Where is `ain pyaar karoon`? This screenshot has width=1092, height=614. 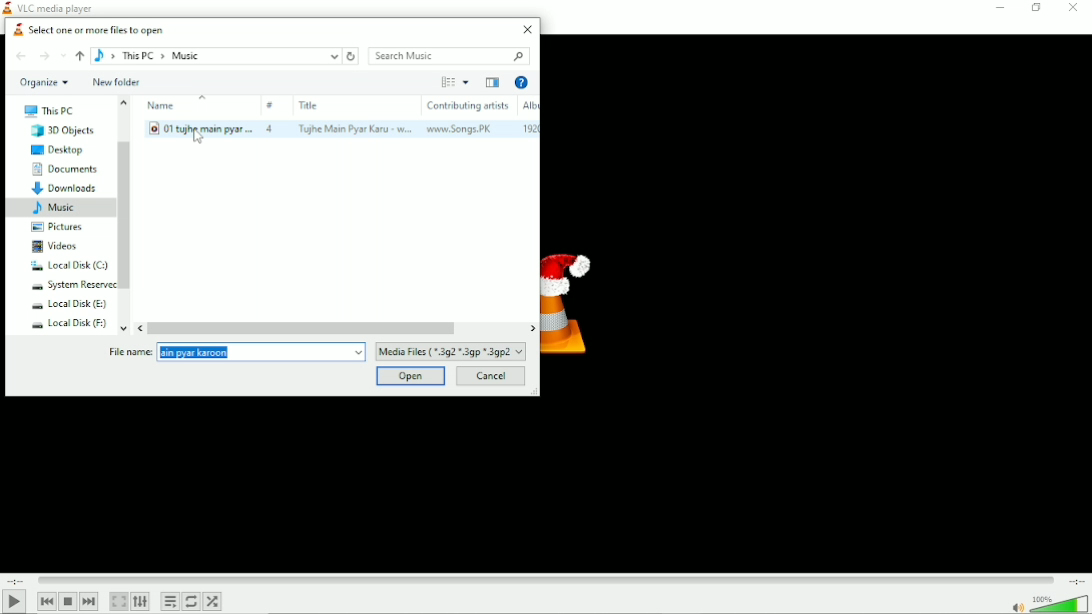
ain pyaar karoon is located at coordinates (261, 353).